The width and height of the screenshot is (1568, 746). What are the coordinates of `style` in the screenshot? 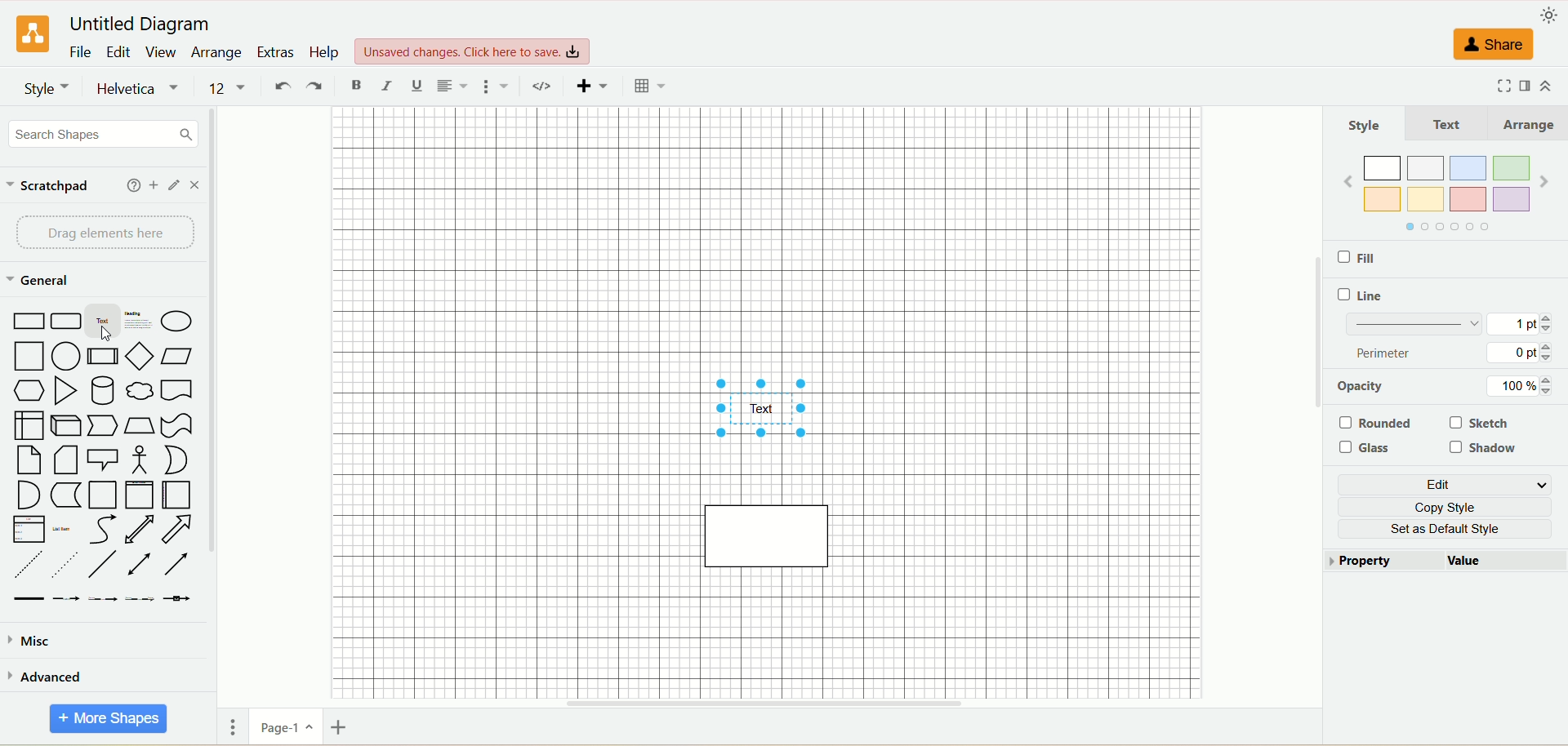 It's located at (47, 88).